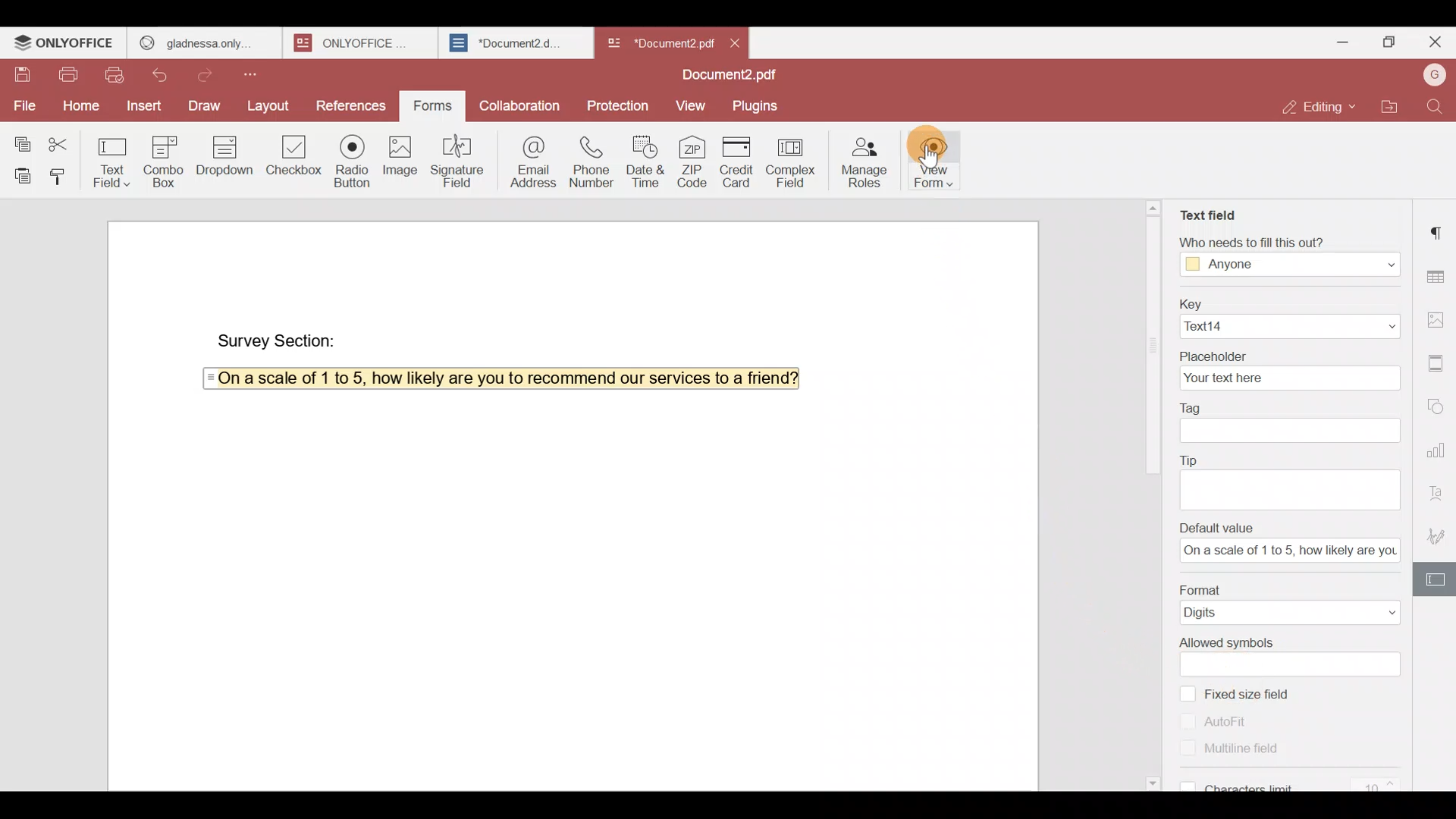  I want to click on text box, so click(1294, 664).